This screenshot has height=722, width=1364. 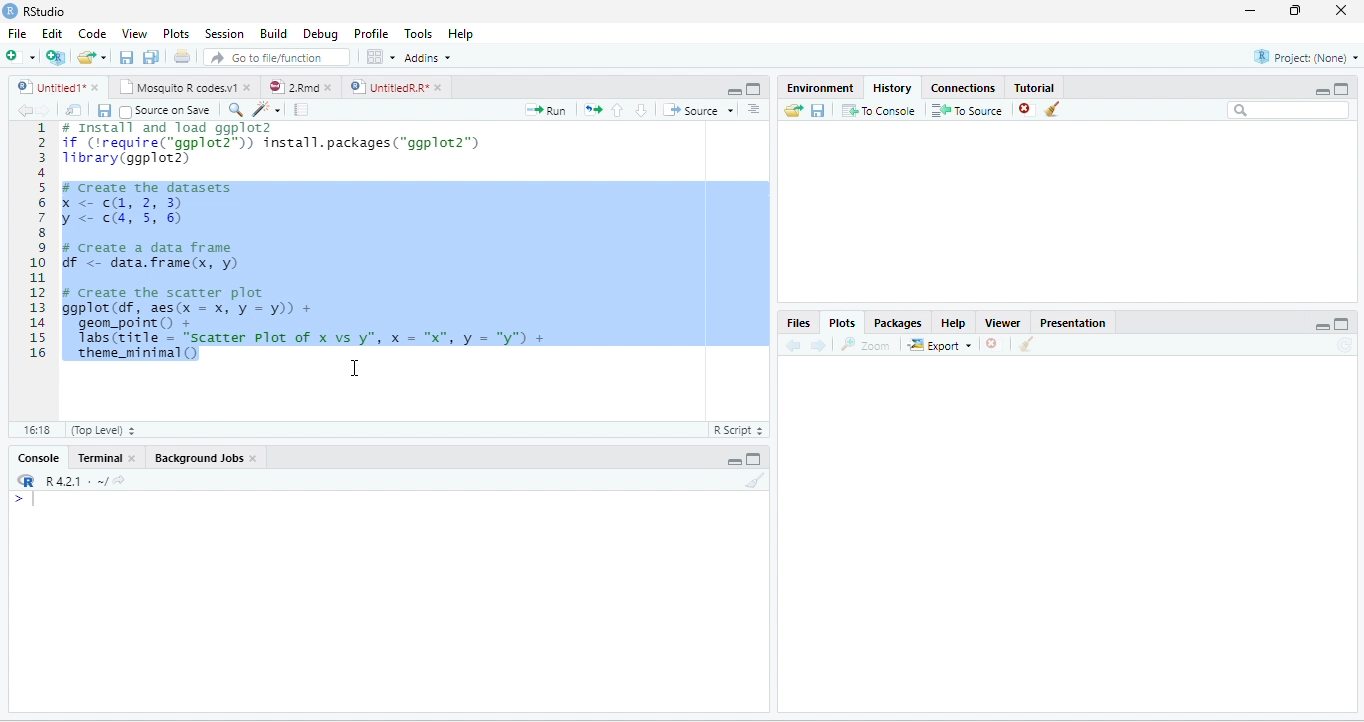 What do you see at coordinates (38, 458) in the screenshot?
I see `Console` at bounding box center [38, 458].